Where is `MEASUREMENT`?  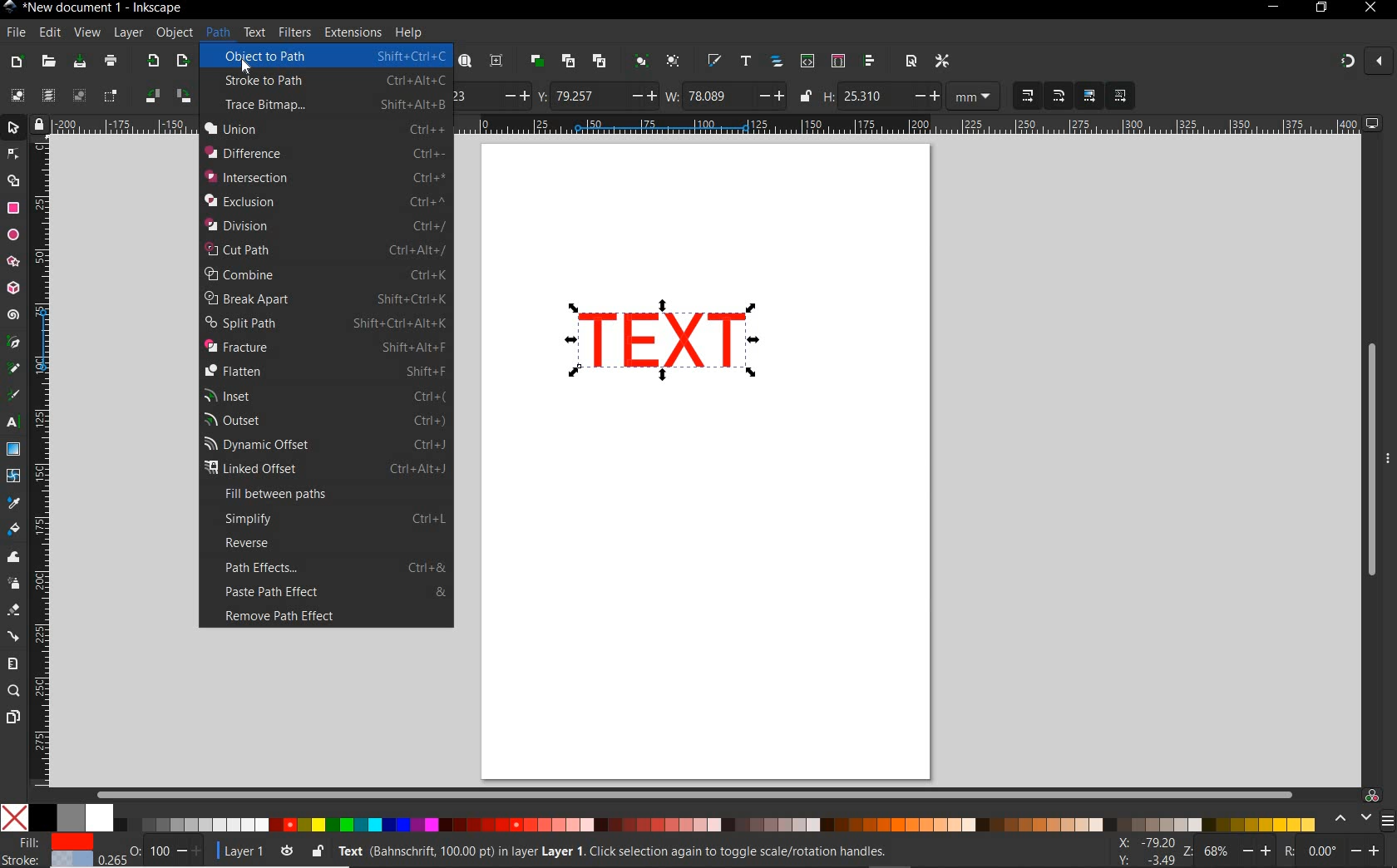
MEASUREMENT is located at coordinates (974, 98).